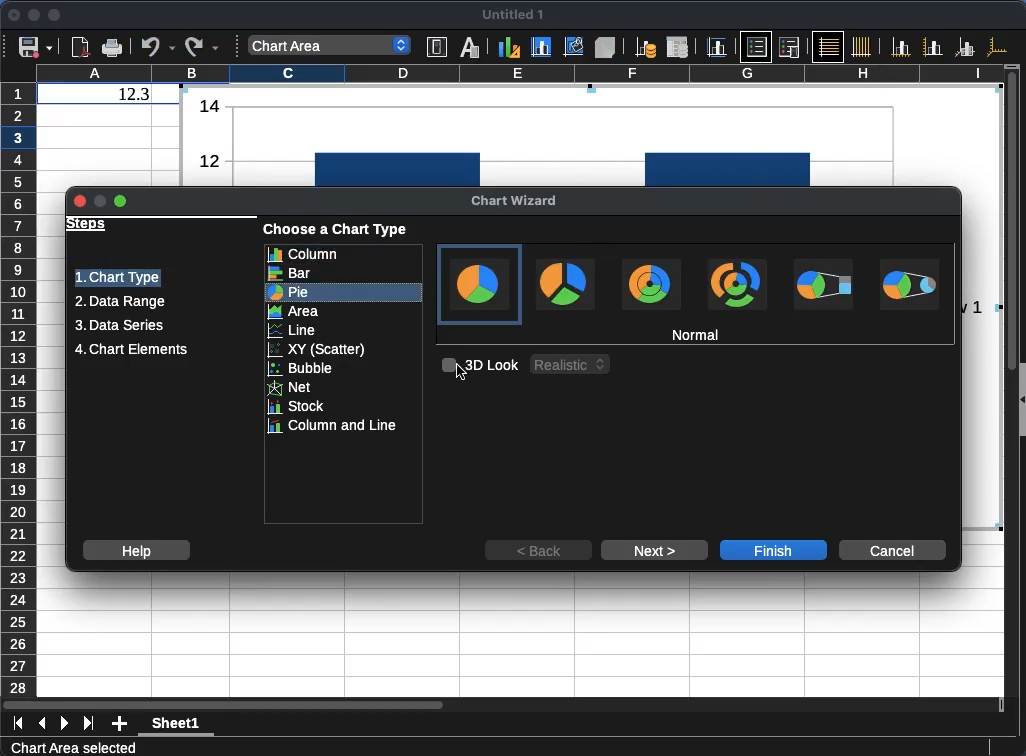 This screenshot has height=756, width=1026. Describe the element at coordinates (13, 14) in the screenshot. I see `close` at that location.